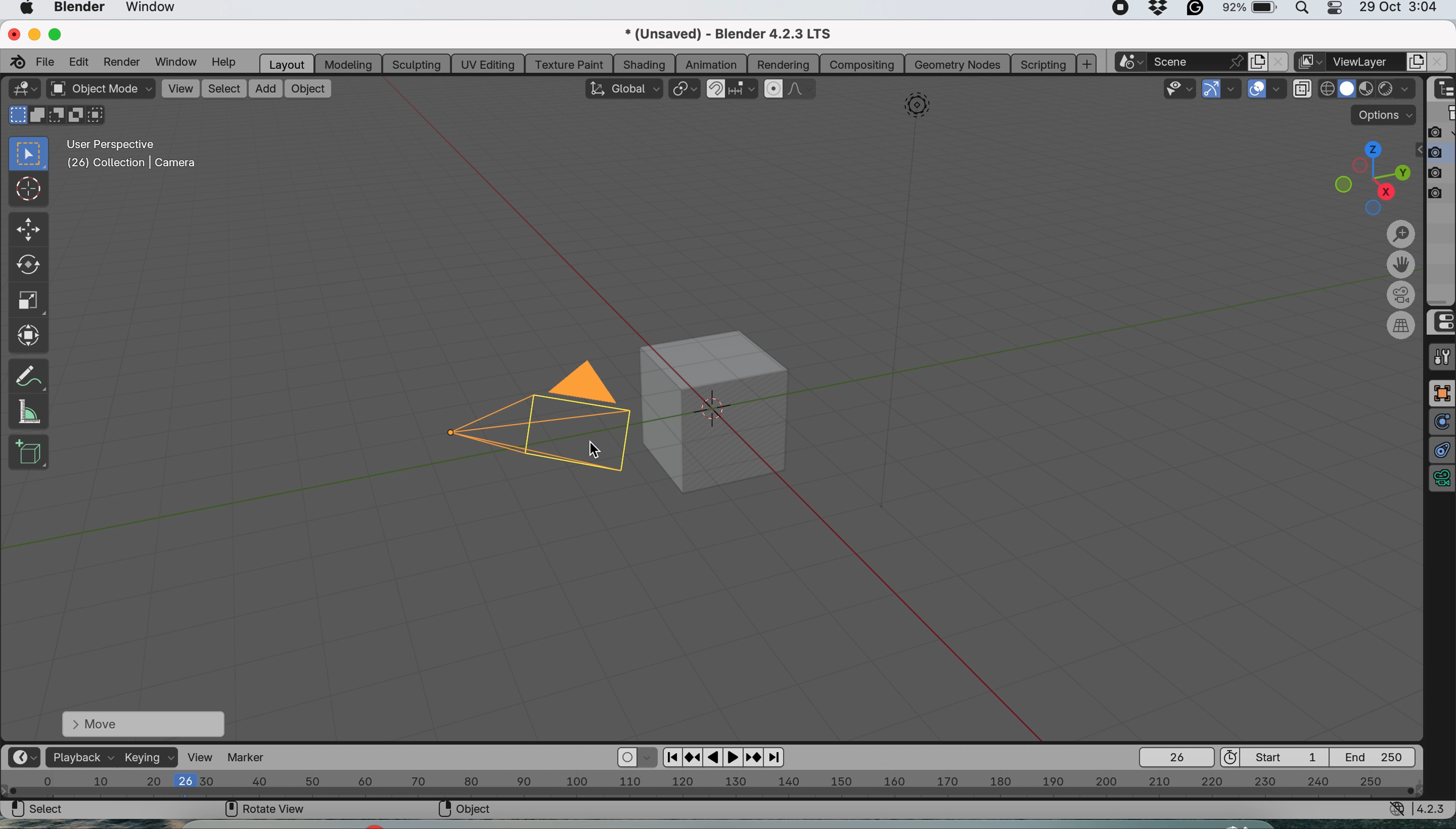 The image size is (1456, 829). I want to click on scripting, so click(1041, 63).